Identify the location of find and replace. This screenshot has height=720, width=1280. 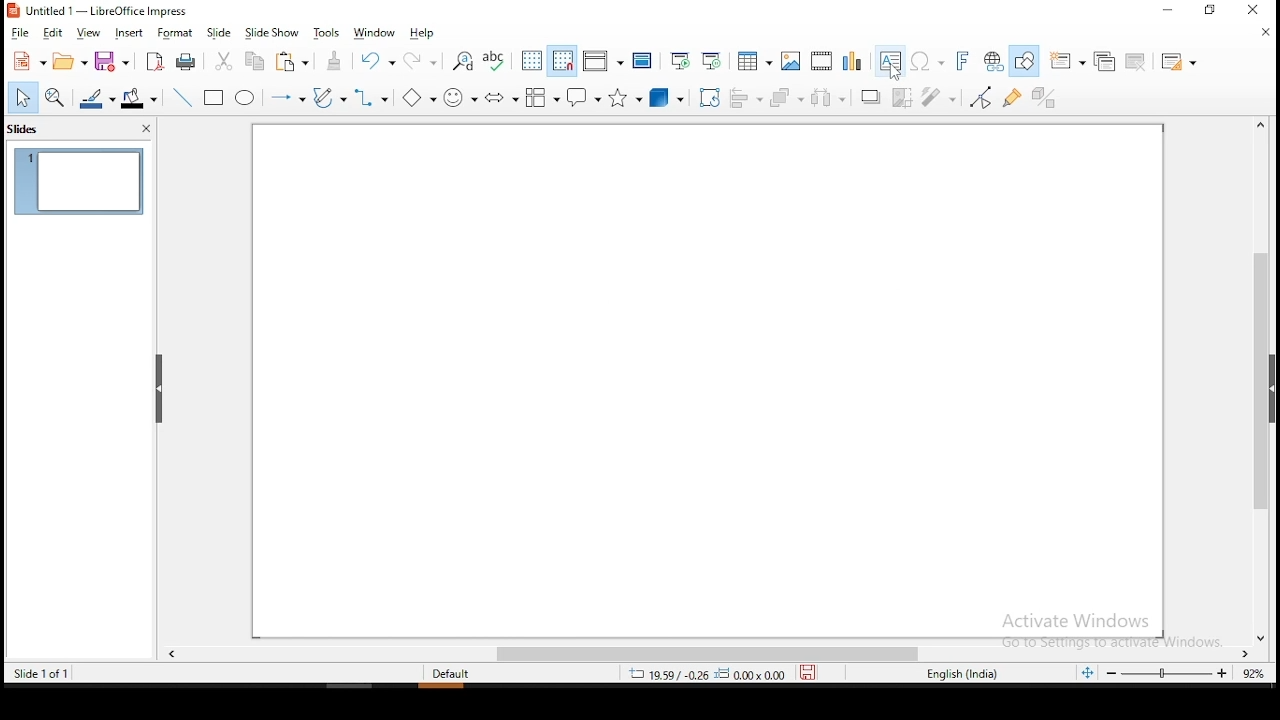
(459, 60).